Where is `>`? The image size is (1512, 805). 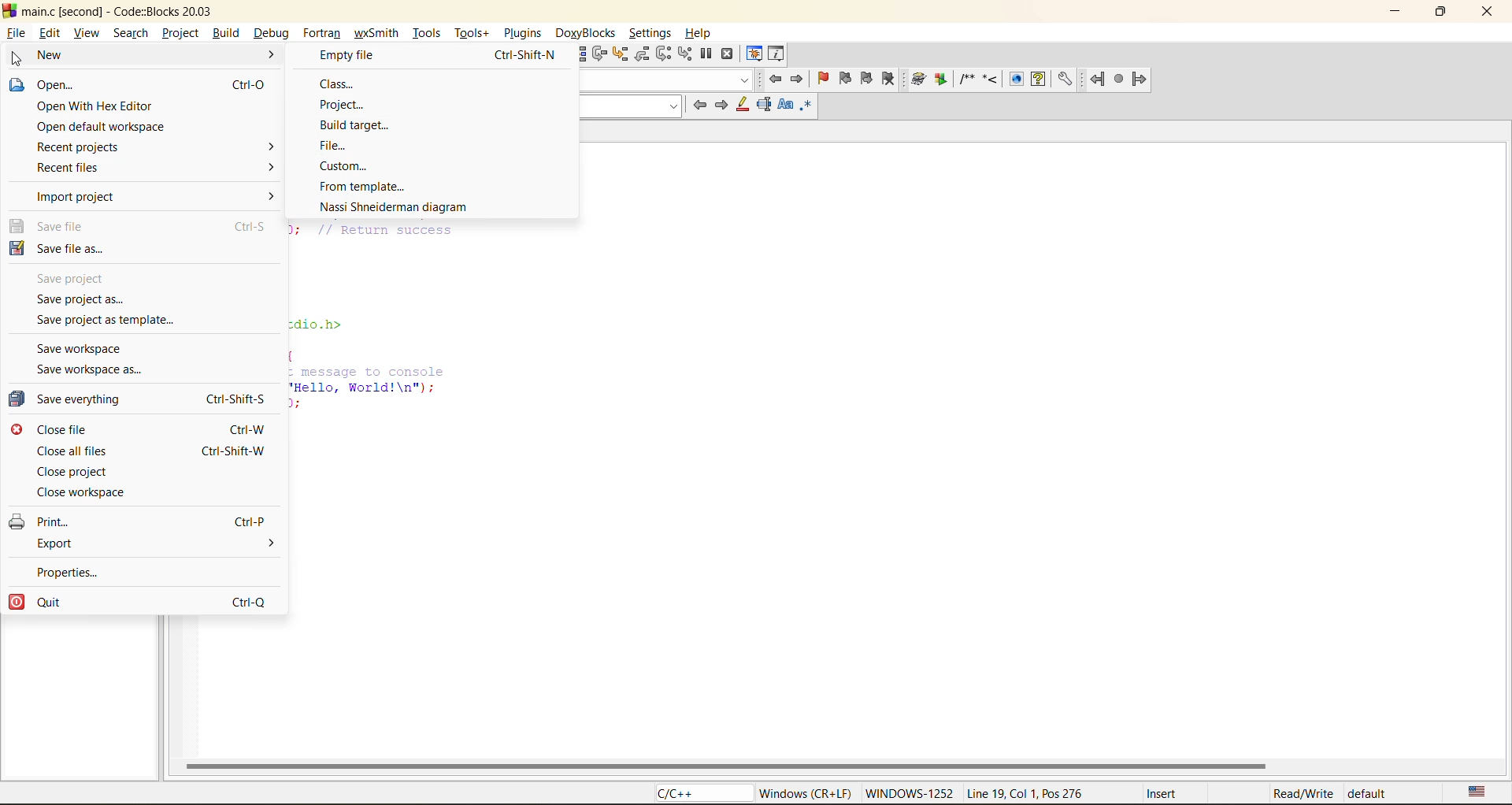 > is located at coordinates (272, 195).